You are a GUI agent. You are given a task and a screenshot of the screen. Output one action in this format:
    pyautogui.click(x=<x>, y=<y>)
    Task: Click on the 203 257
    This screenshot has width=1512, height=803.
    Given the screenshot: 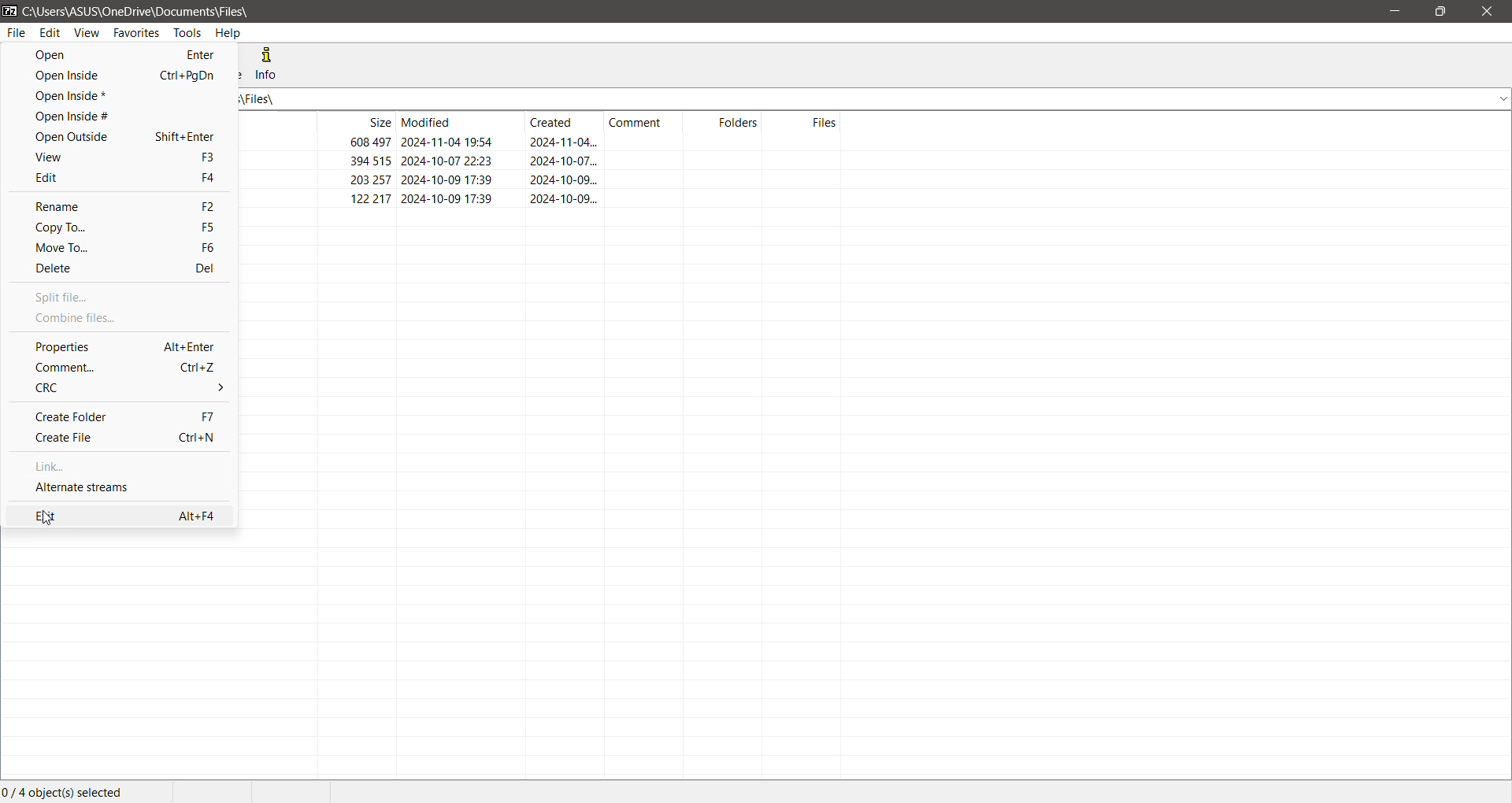 What is the action you would take?
    pyautogui.click(x=363, y=179)
    